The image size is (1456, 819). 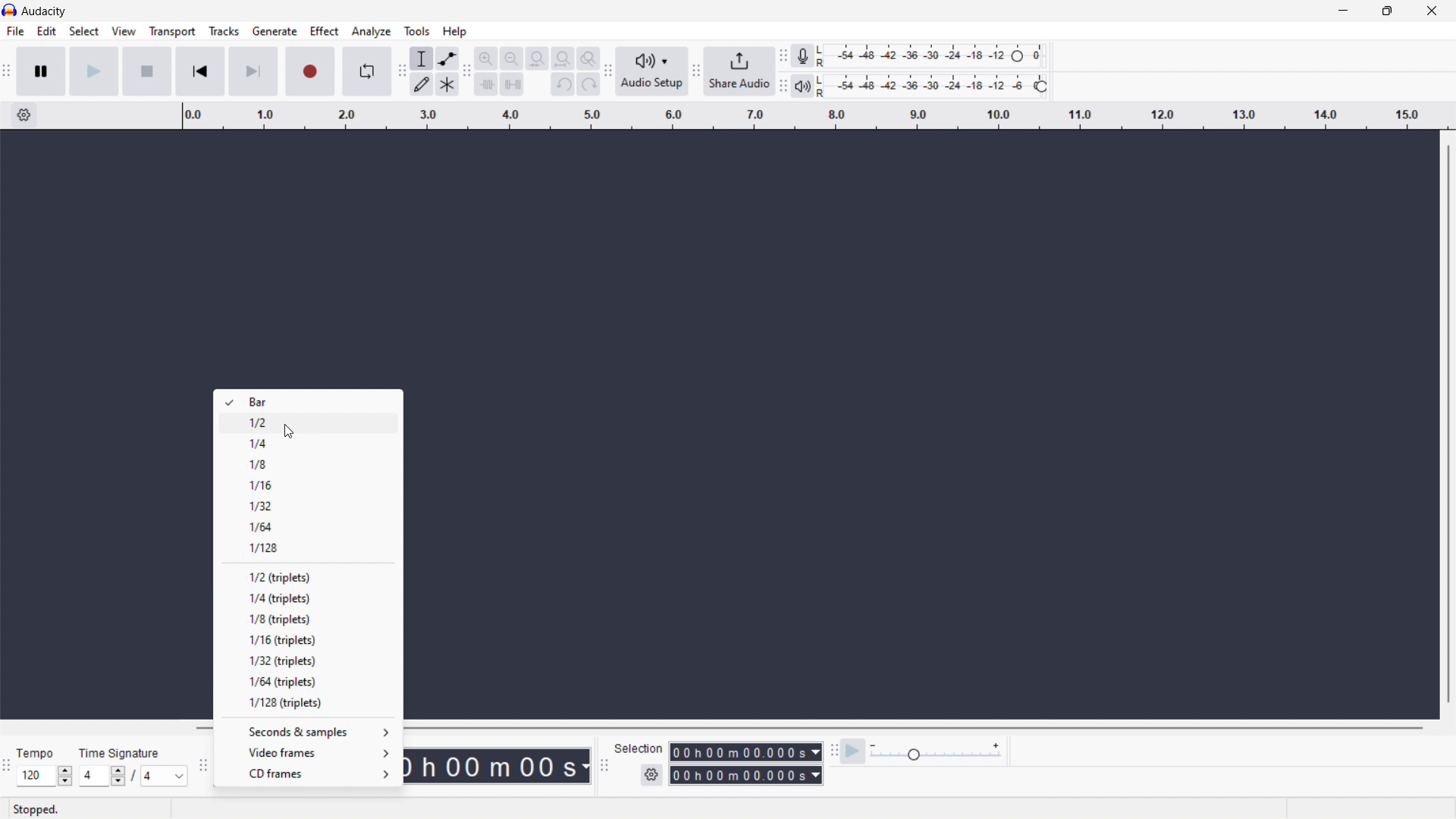 I want to click on recording meter toolbar, so click(x=783, y=55).